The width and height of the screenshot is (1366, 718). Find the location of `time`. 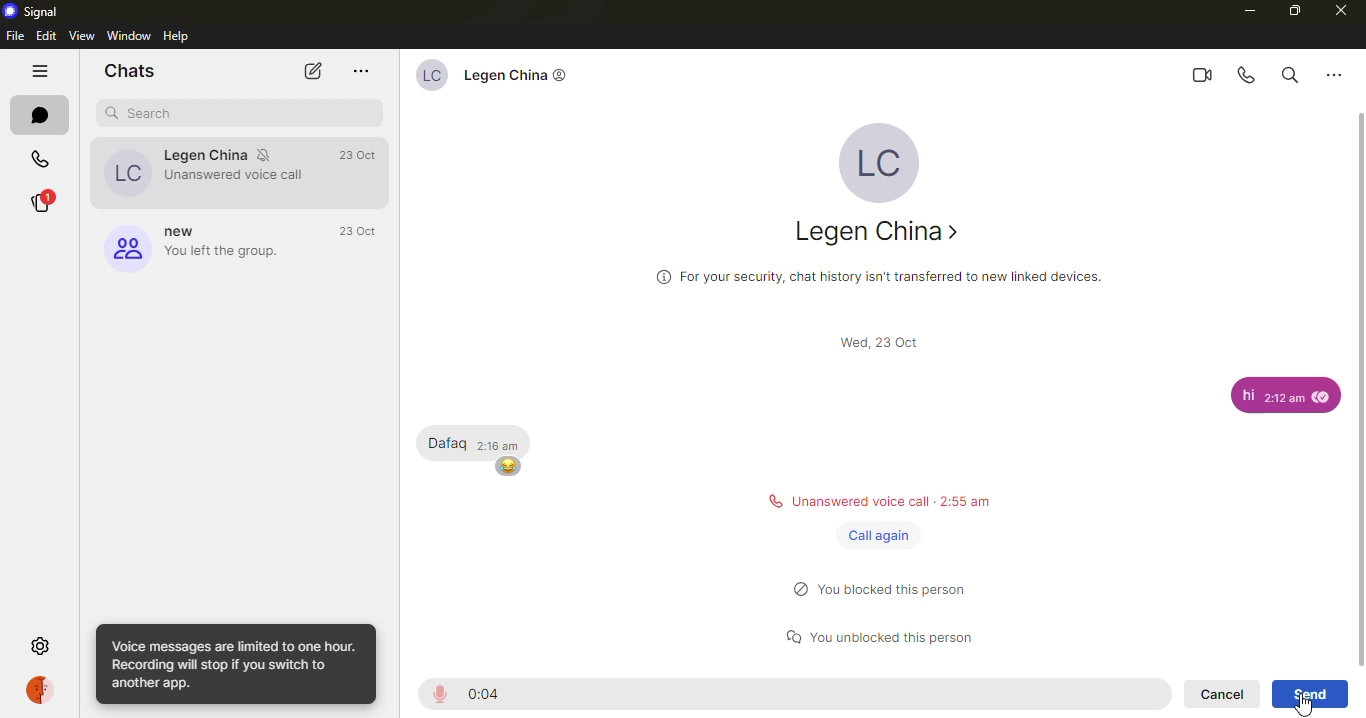

time is located at coordinates (487, 694).